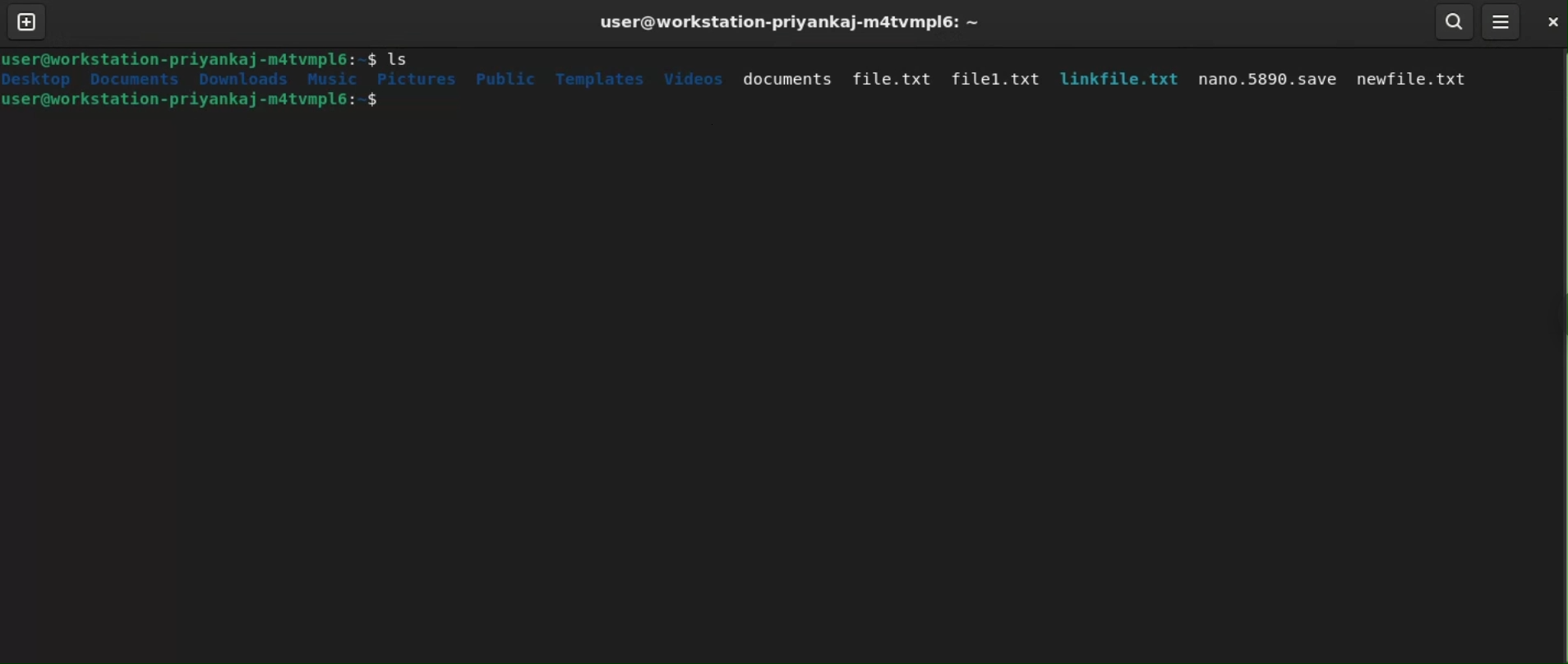 This screenshot has height=664, width=1568. What do you see at coordinates (334, 79) in the screenshot?
I see `music` at bounding box center [334, 79].